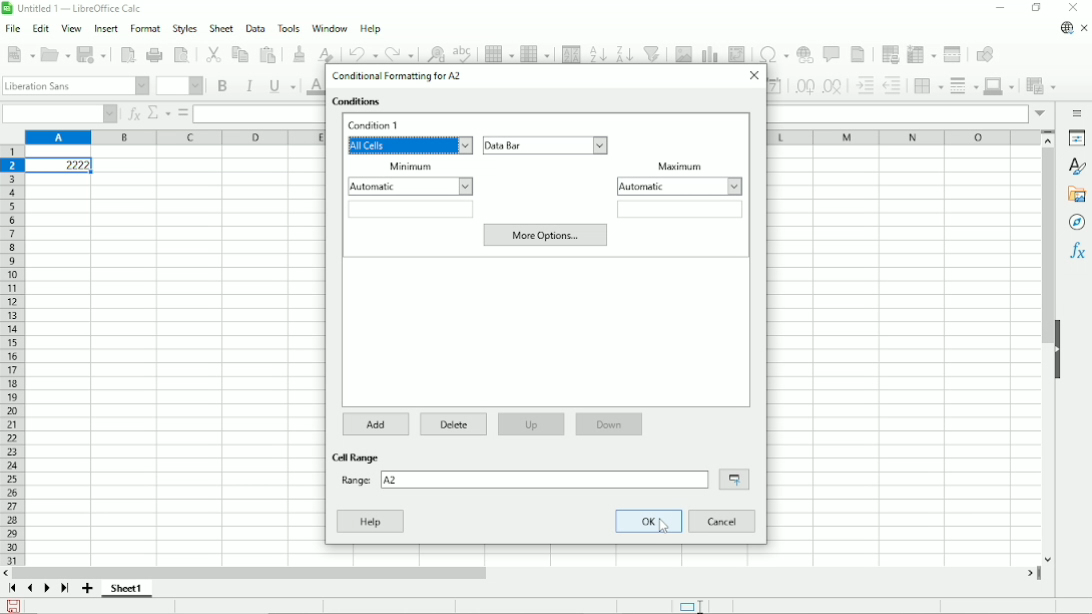 Image resolution: width=1092 pixels, height=614 pixels. I want to click on Export directly as PDF, so click(127, 53).